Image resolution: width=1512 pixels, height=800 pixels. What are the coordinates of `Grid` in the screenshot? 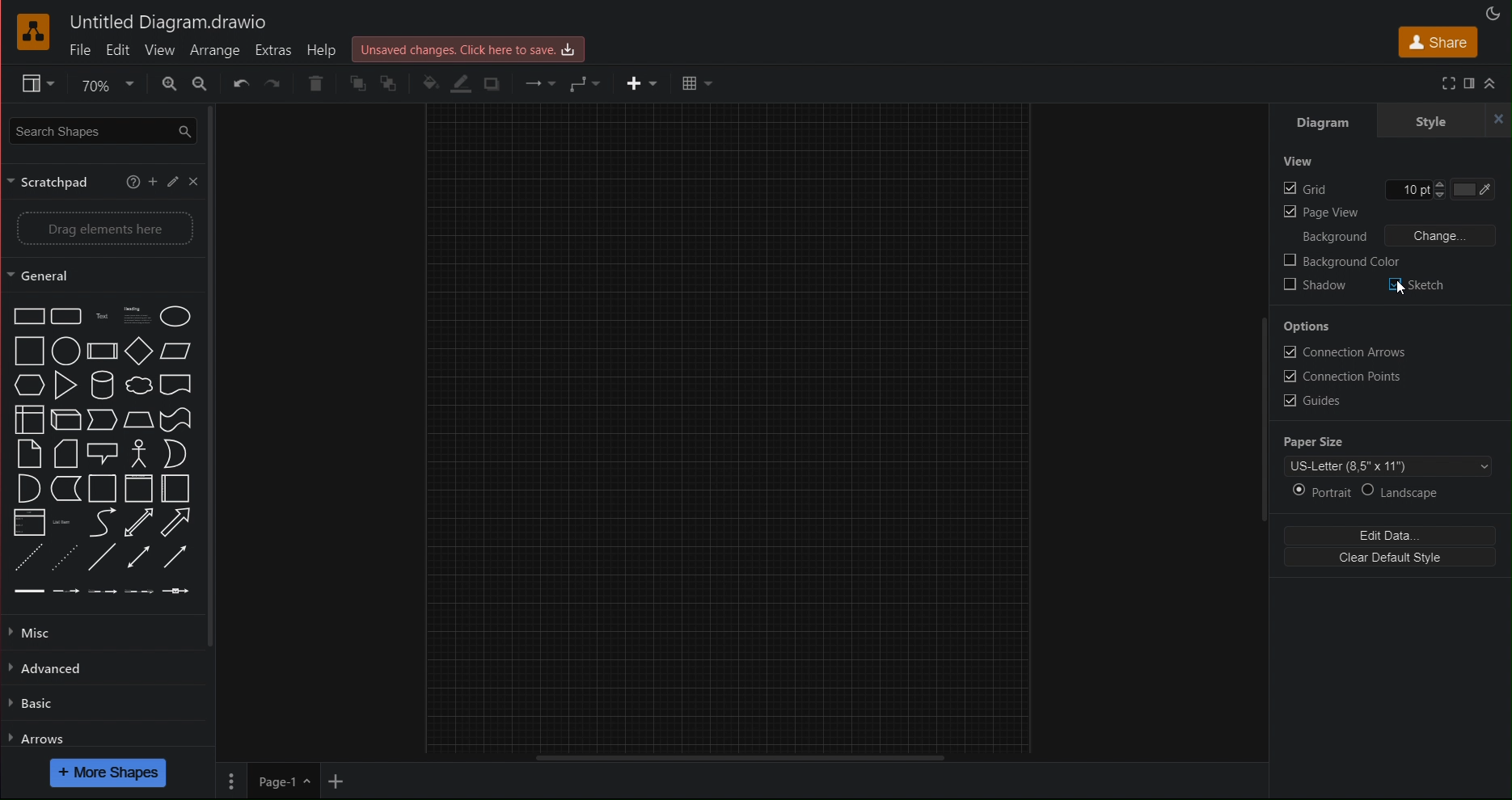 It's located at (1304, 188).